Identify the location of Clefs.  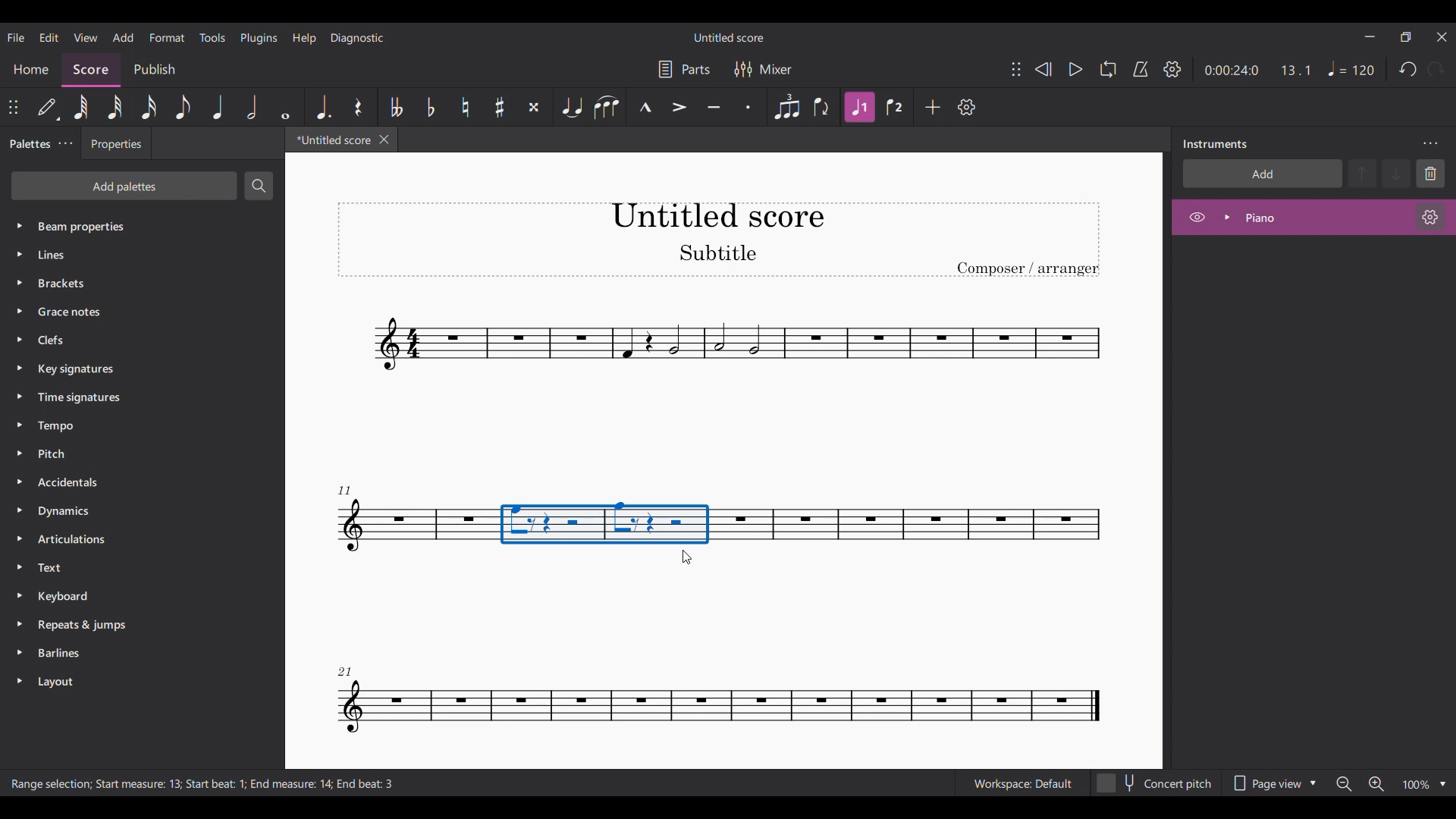
(138, 339).